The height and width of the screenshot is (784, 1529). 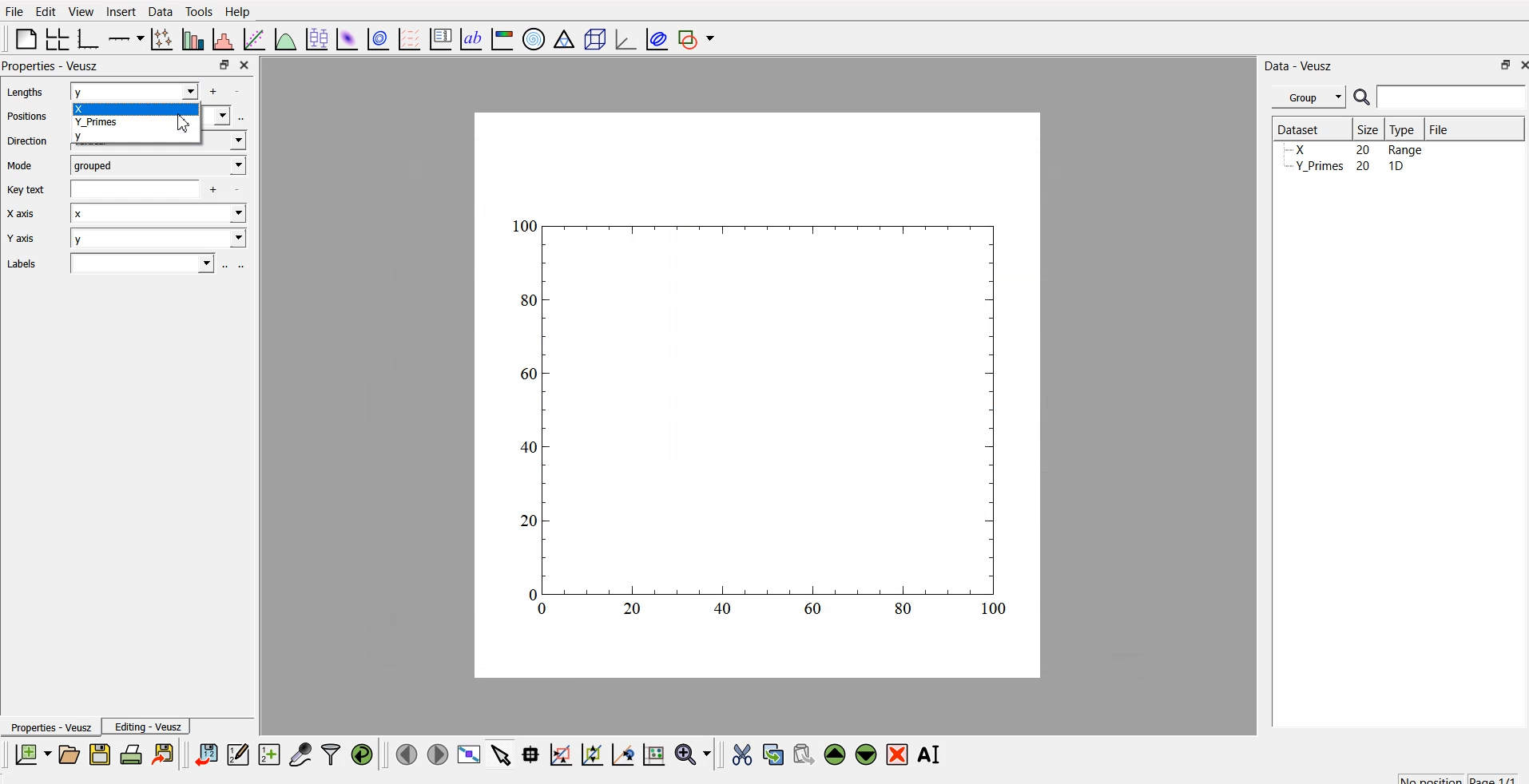 What do you see at coordinates (1311, 95) in the screenshot?
I see `Group` at bounding box center [1311, 95].